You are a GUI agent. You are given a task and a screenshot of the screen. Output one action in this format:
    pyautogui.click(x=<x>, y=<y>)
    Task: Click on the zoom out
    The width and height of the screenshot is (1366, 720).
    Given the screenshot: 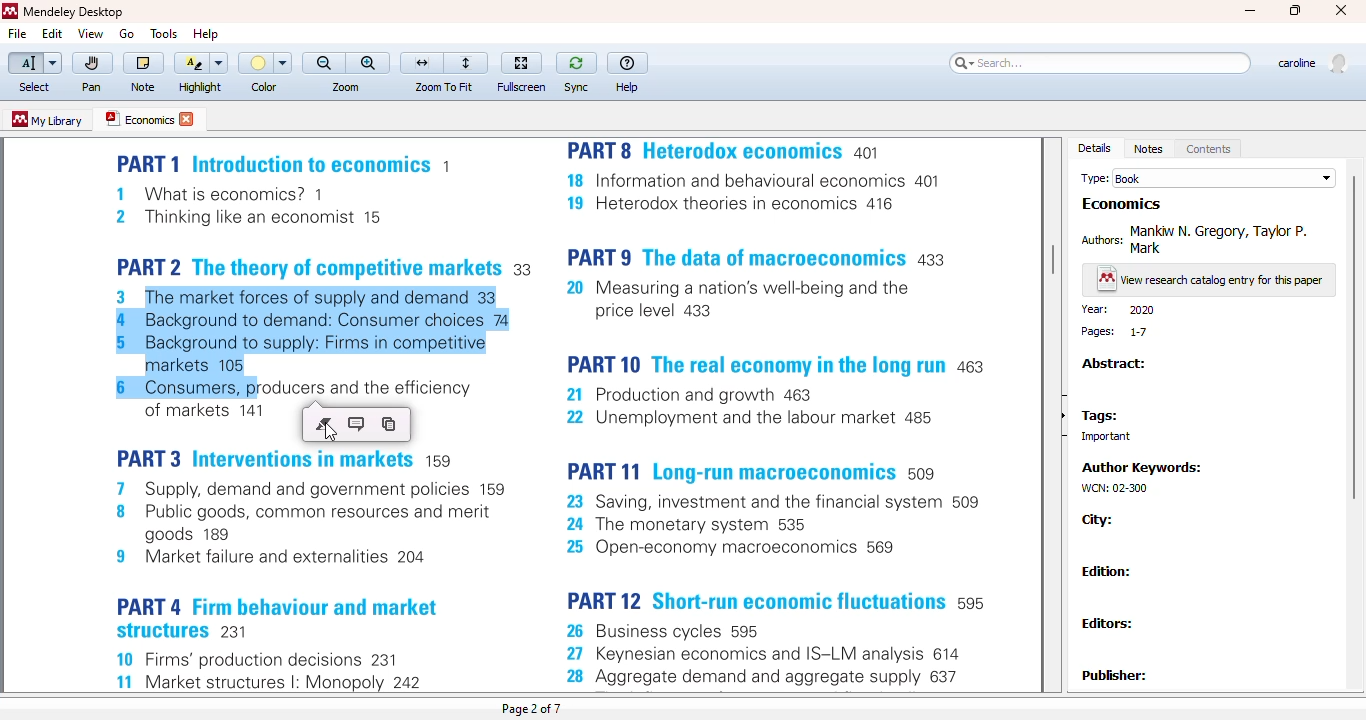 What is the action you would take?
    pyautogui.click(x=324, y=63)
    